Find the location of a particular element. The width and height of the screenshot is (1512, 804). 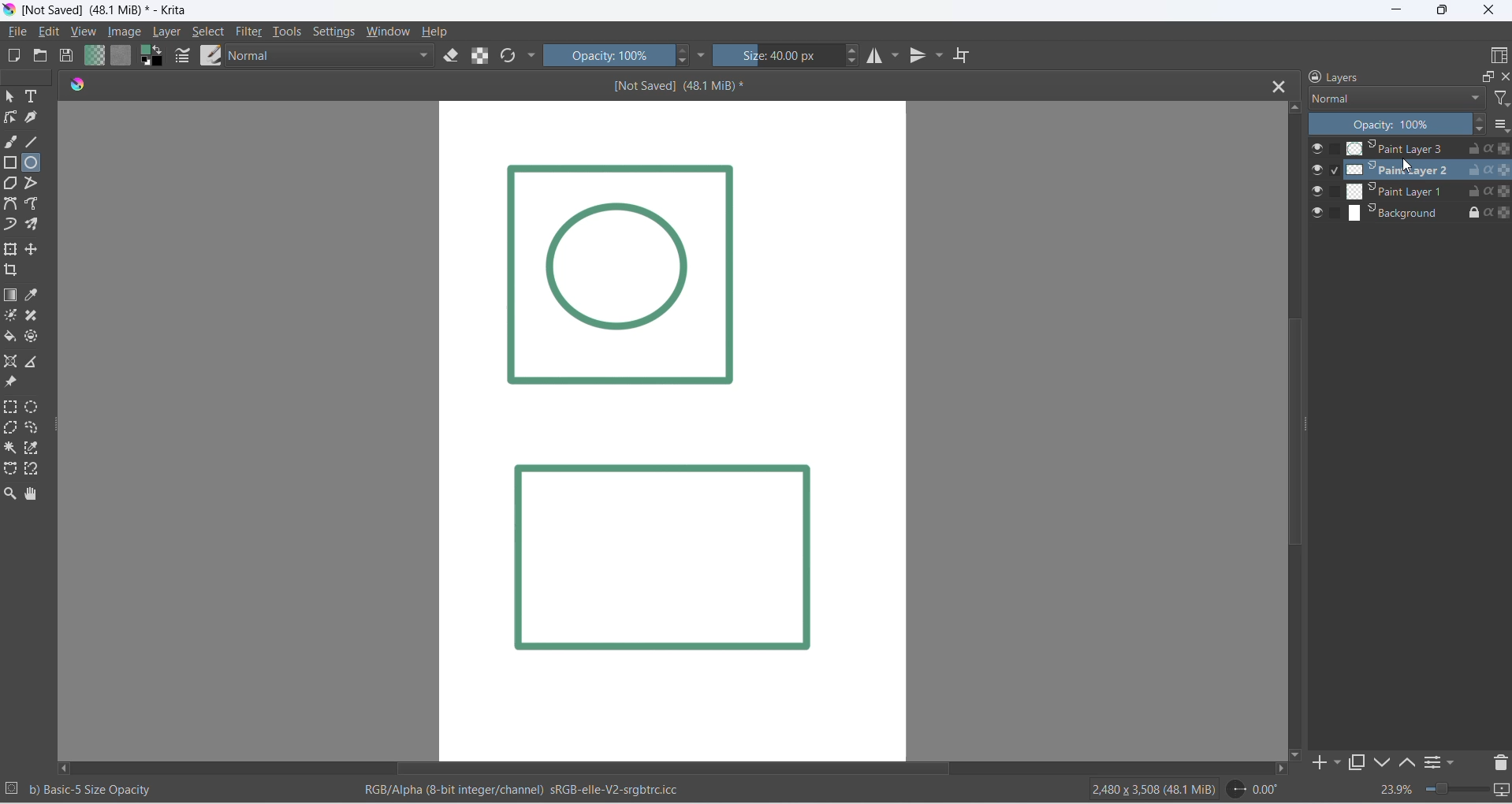

unlock is located at coordinates (1470, 171).